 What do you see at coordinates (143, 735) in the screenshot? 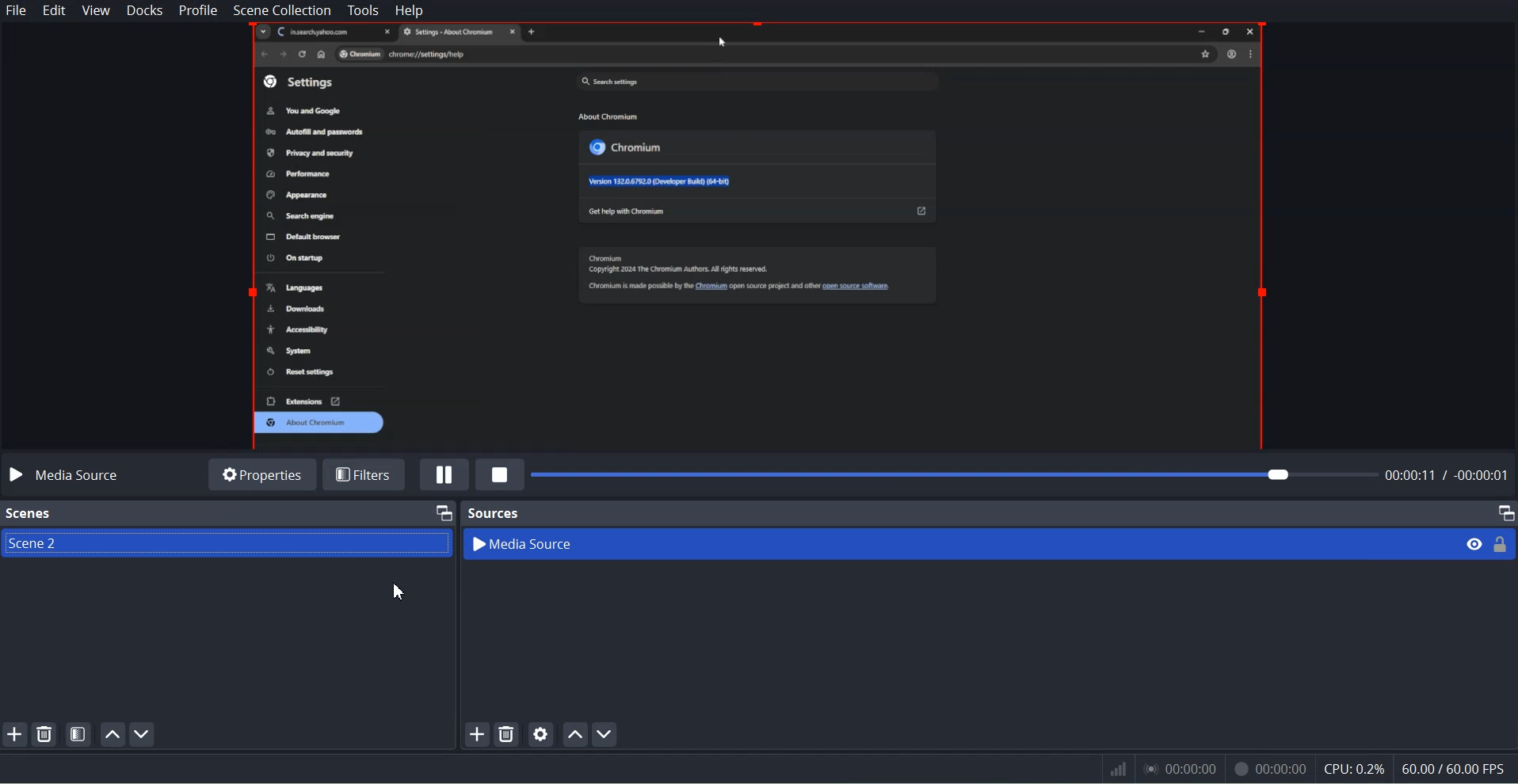
I see `Move Scene down` at bounding box center [143, 735].